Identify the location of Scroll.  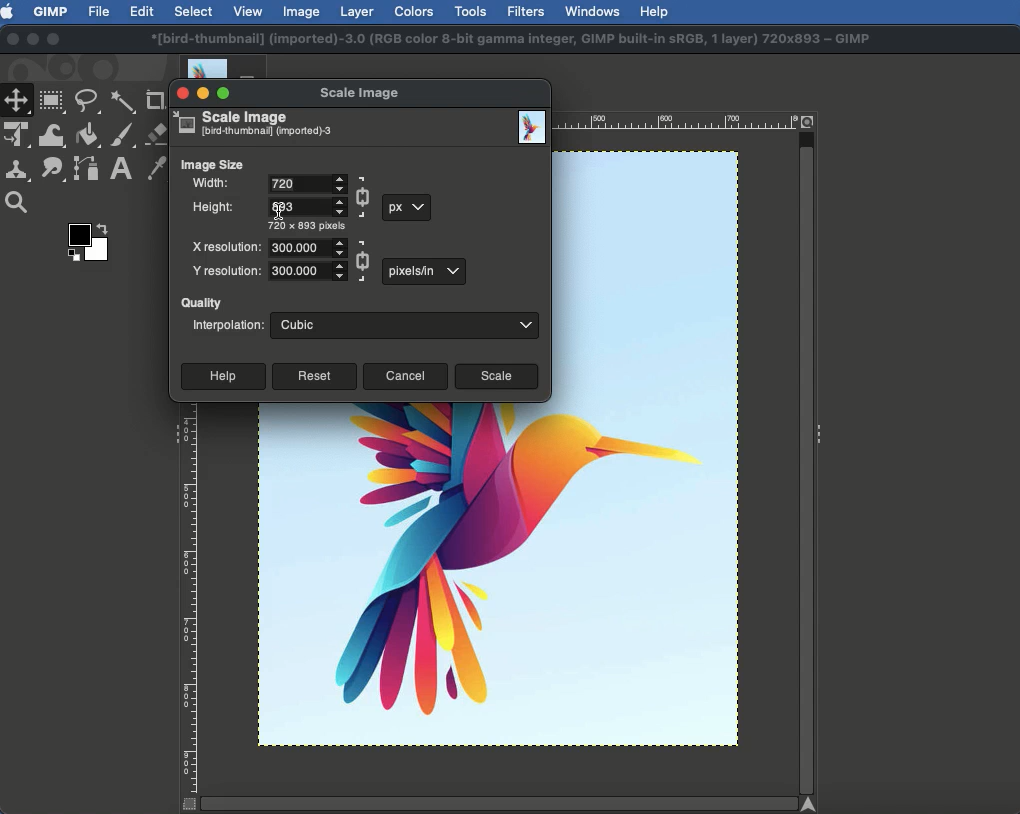
(499, 804).